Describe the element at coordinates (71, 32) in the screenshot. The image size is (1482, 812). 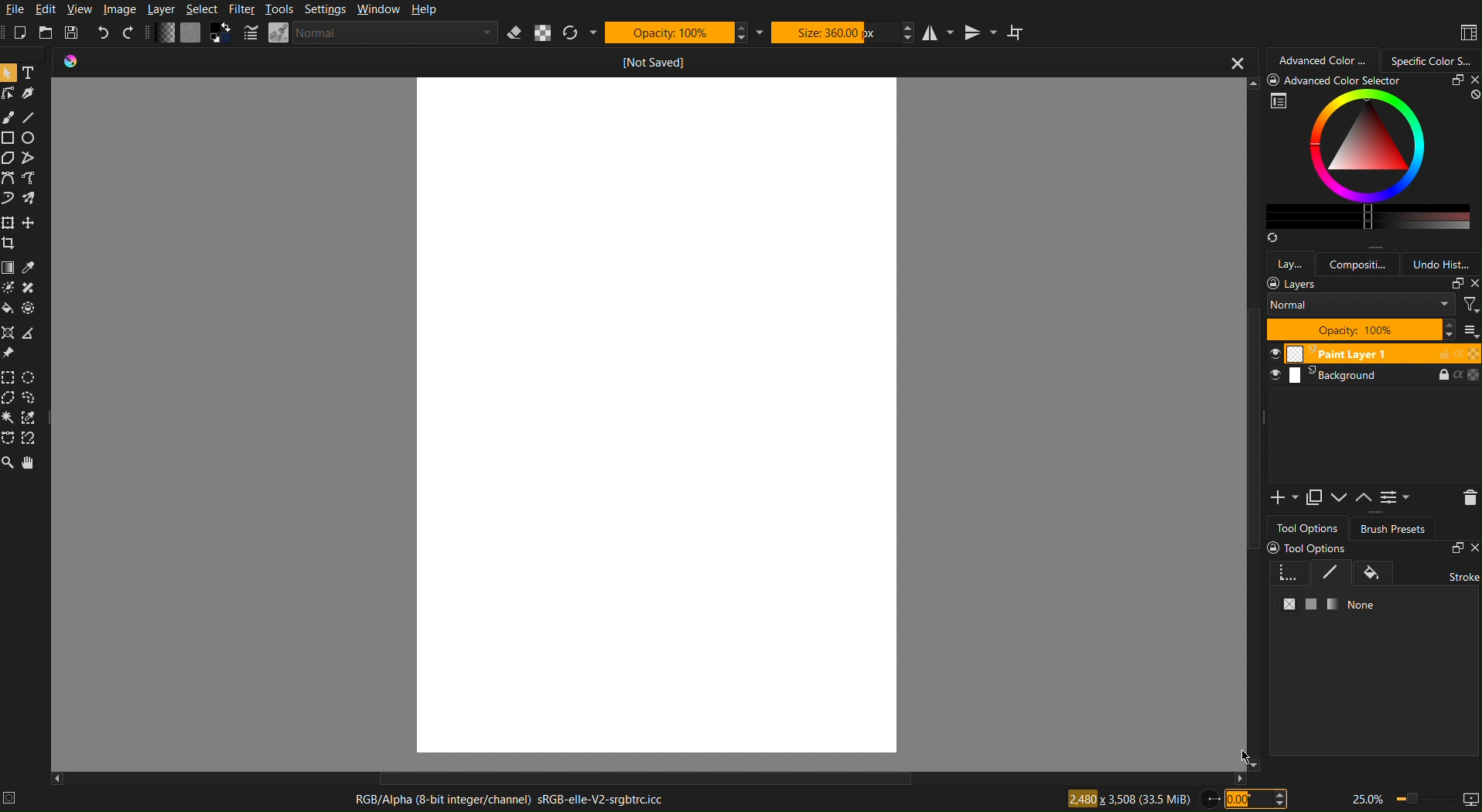
I see `Save` at that location.